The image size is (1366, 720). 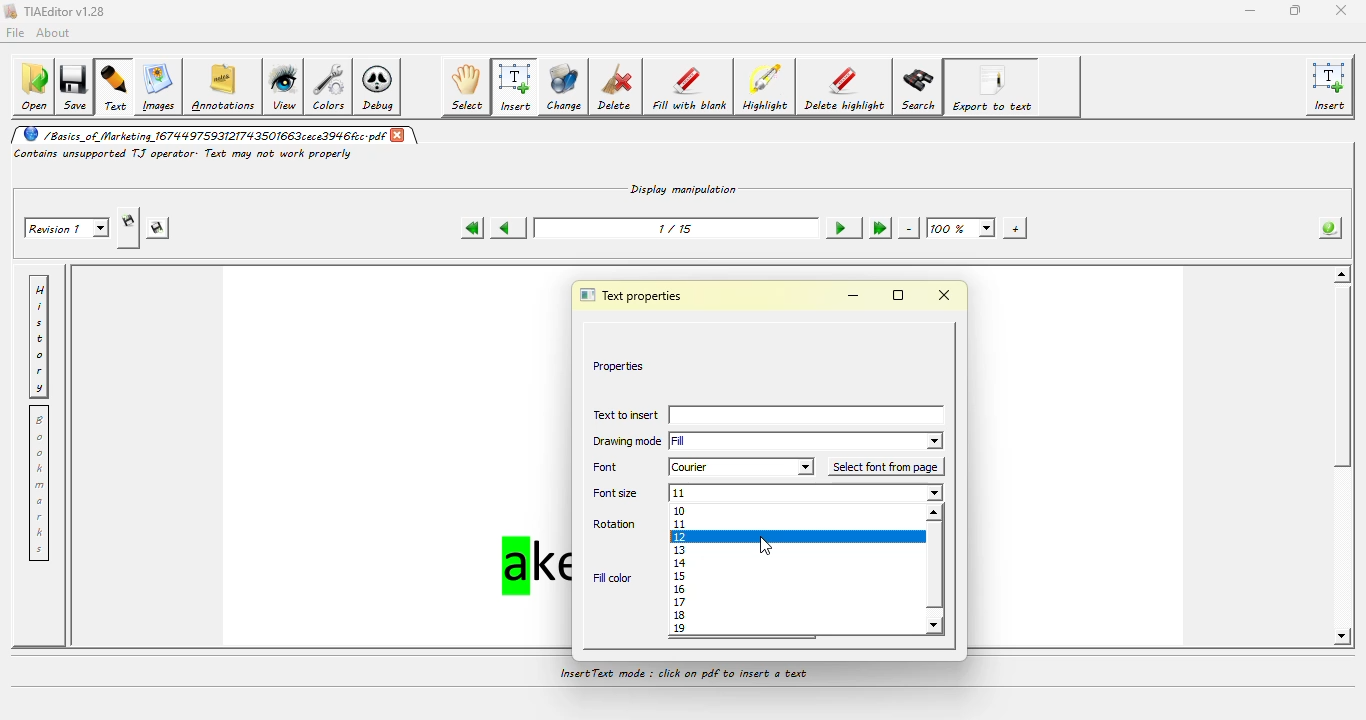 I want to click on scroll down, so click(x=936, y=625).